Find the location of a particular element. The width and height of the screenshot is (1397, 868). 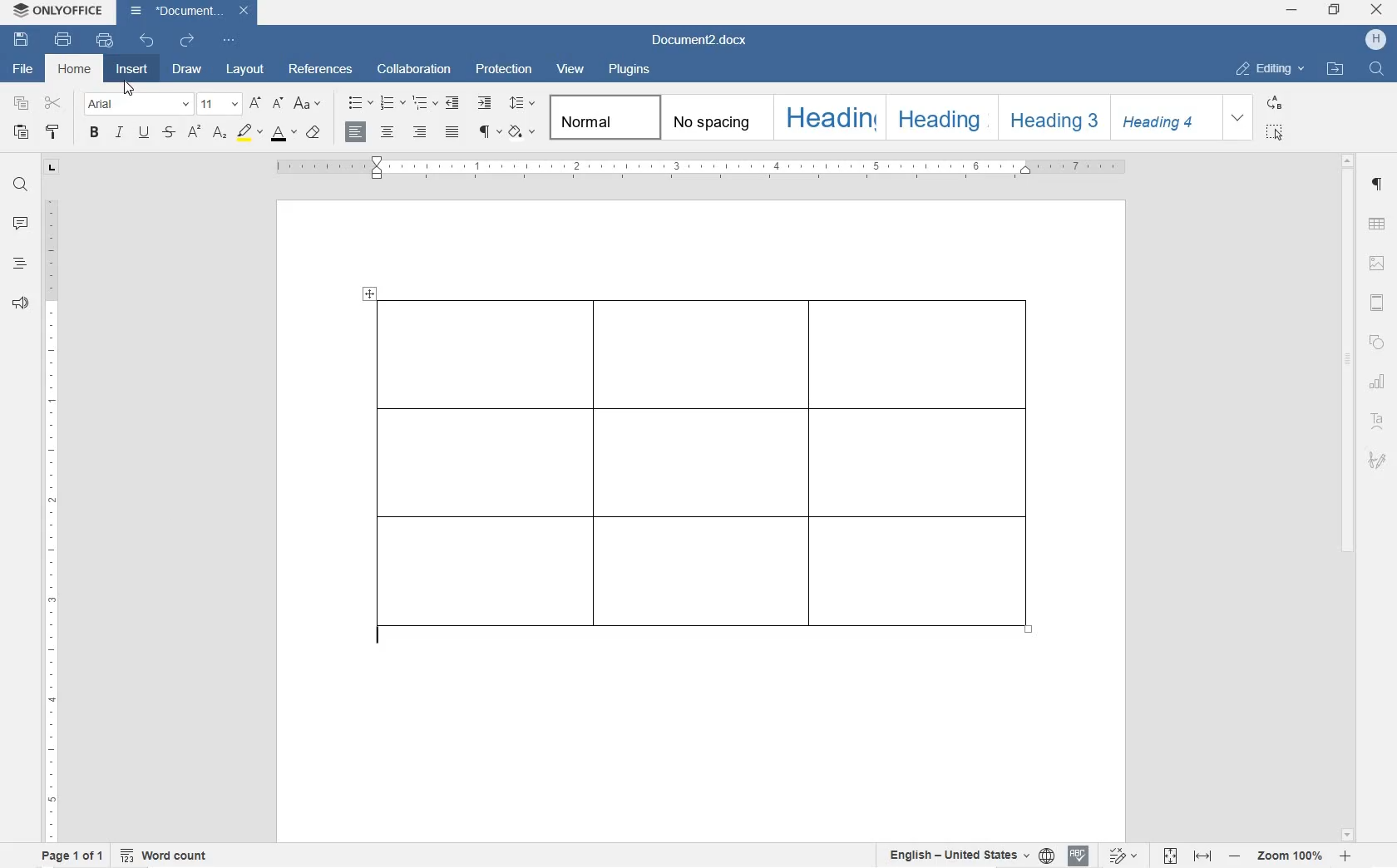

draw is located at coordinates (187, 69).